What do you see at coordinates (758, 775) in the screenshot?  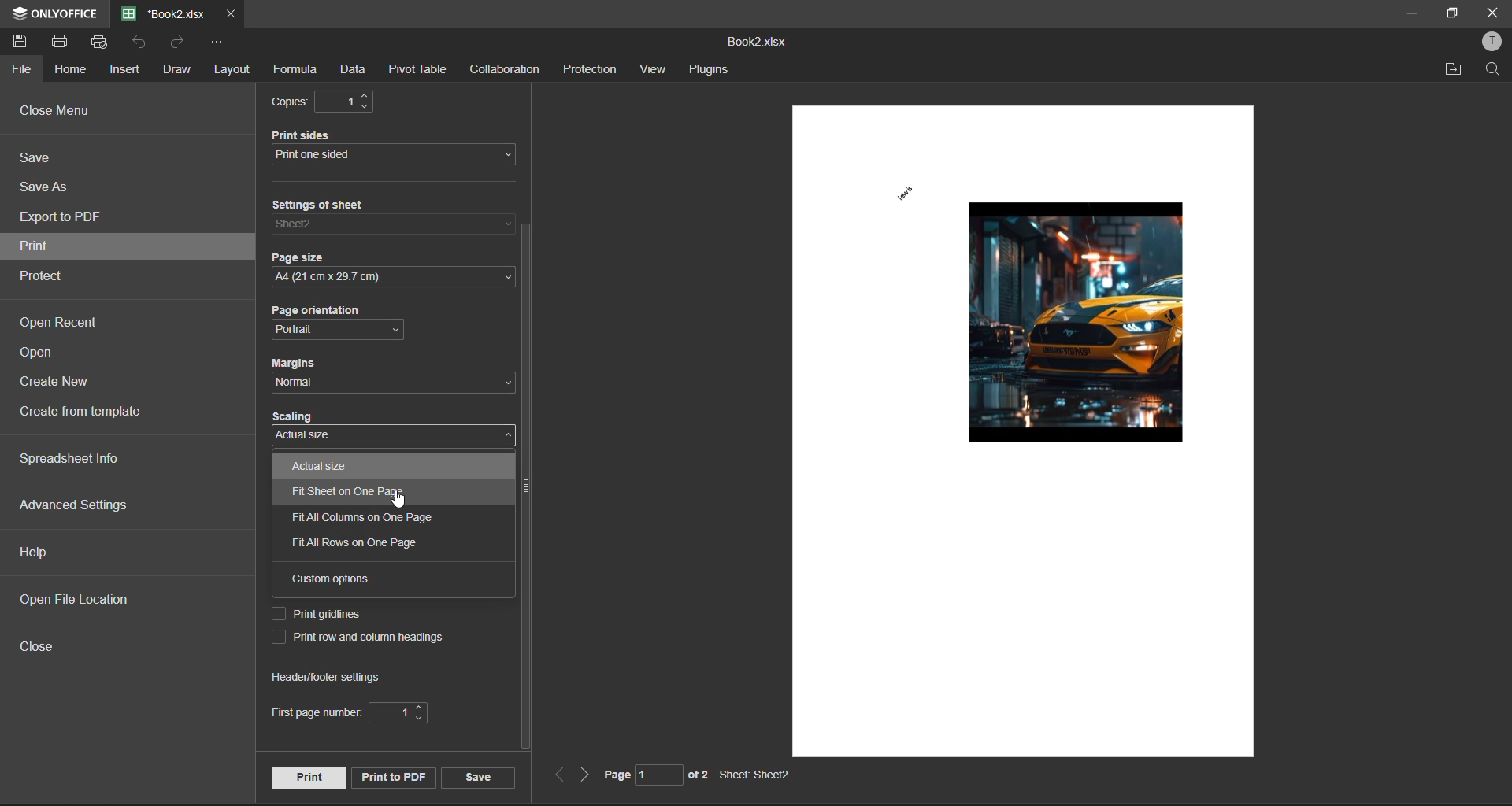 I see `sheet : Sheet2` at bounding box center [758, 775].